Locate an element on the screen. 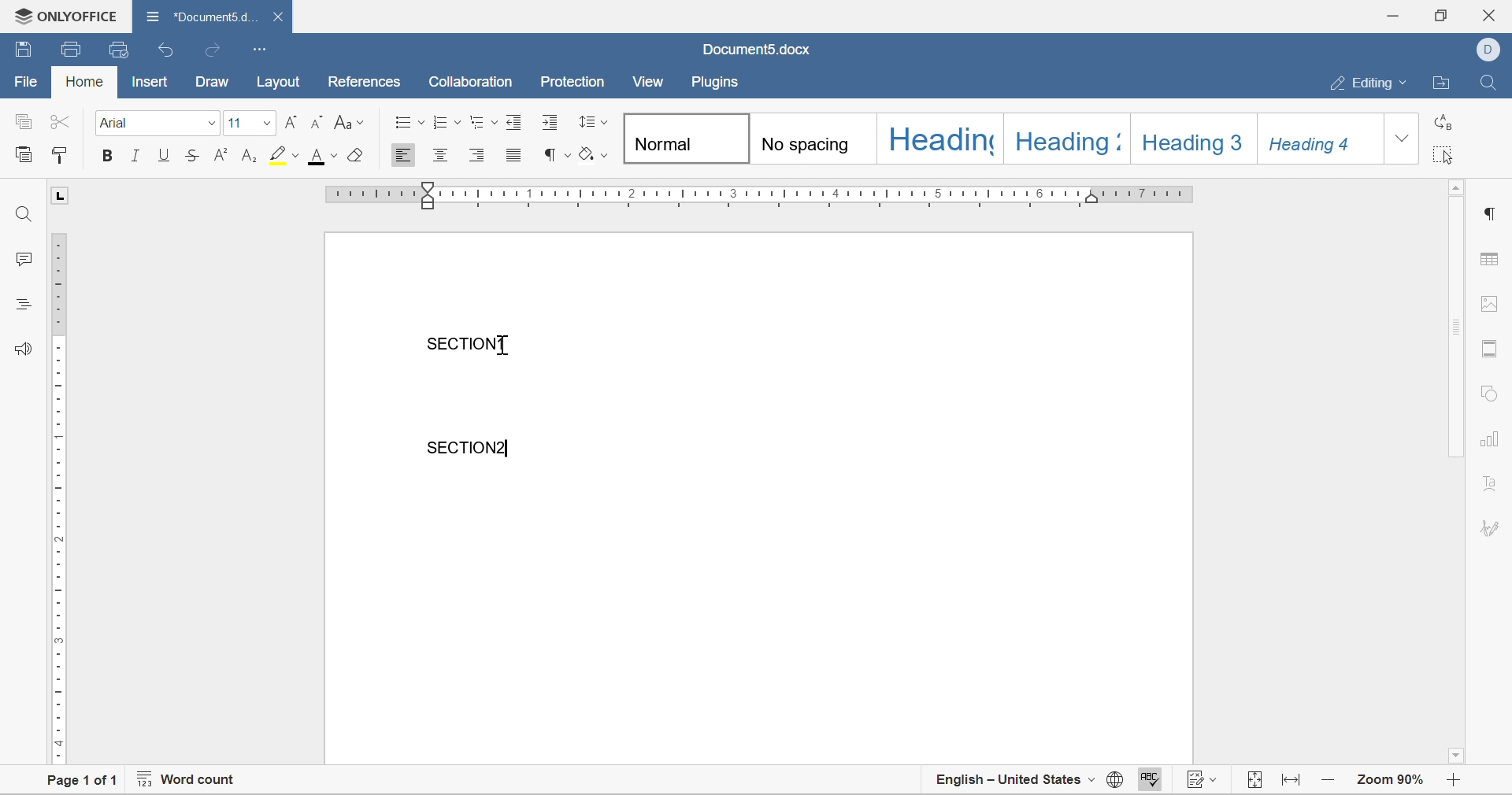  layout is located at coordinates (283, 82).